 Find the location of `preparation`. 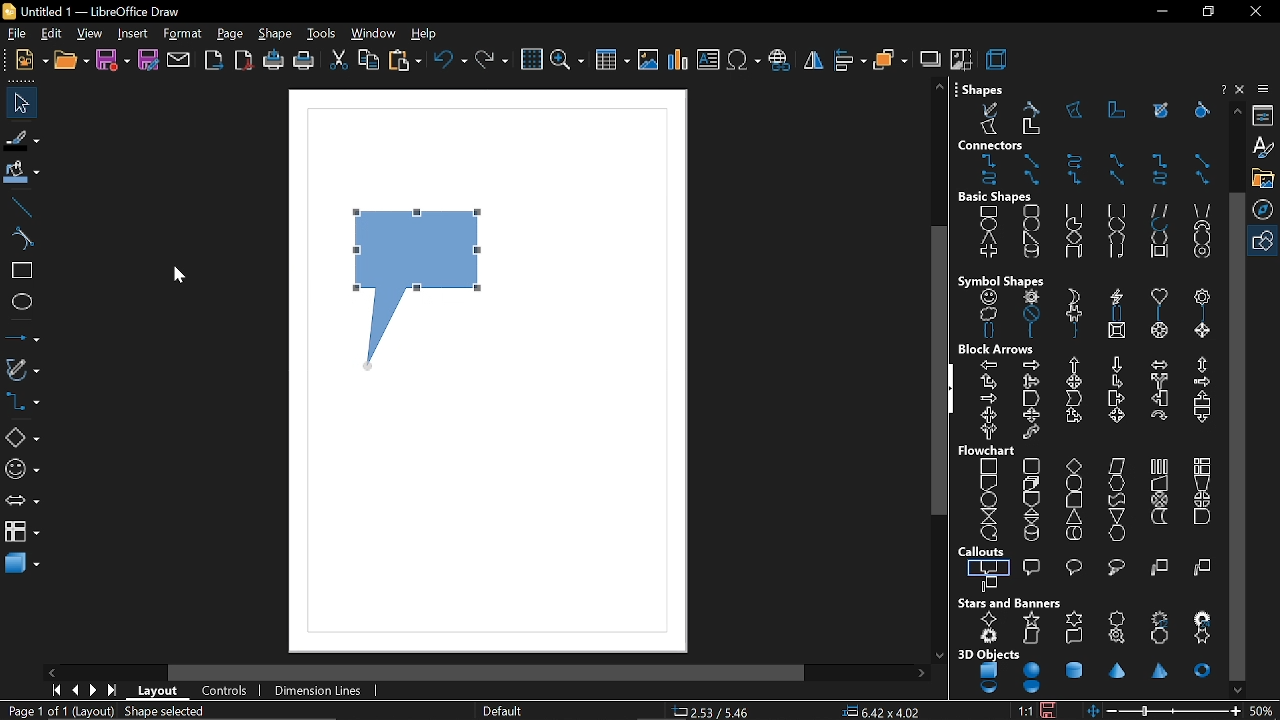

preparation is located at coordinates (1117, 482).